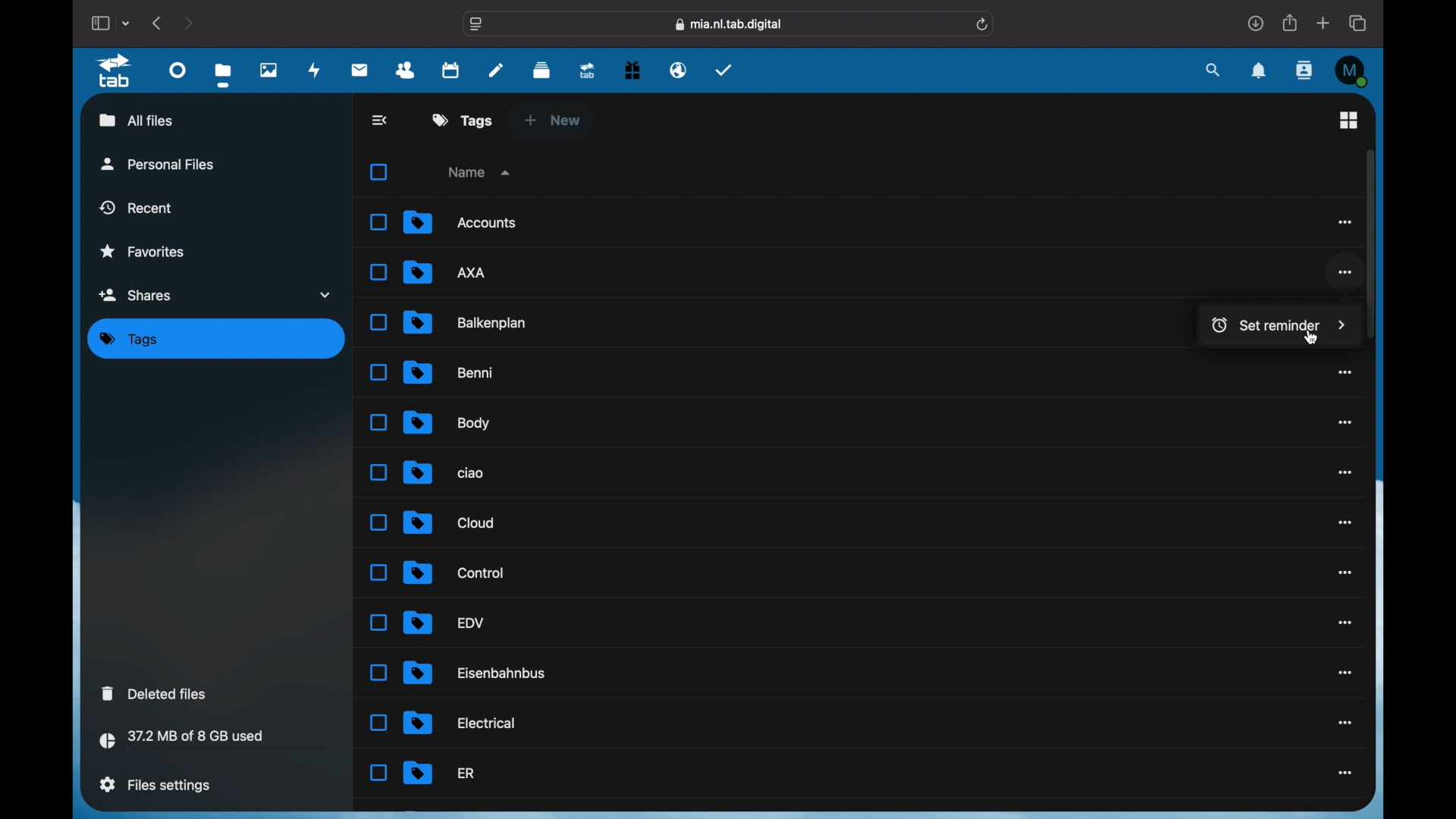  Describe the element at coordinates (217, 294) in the screenshot. I see `shares` at that location.